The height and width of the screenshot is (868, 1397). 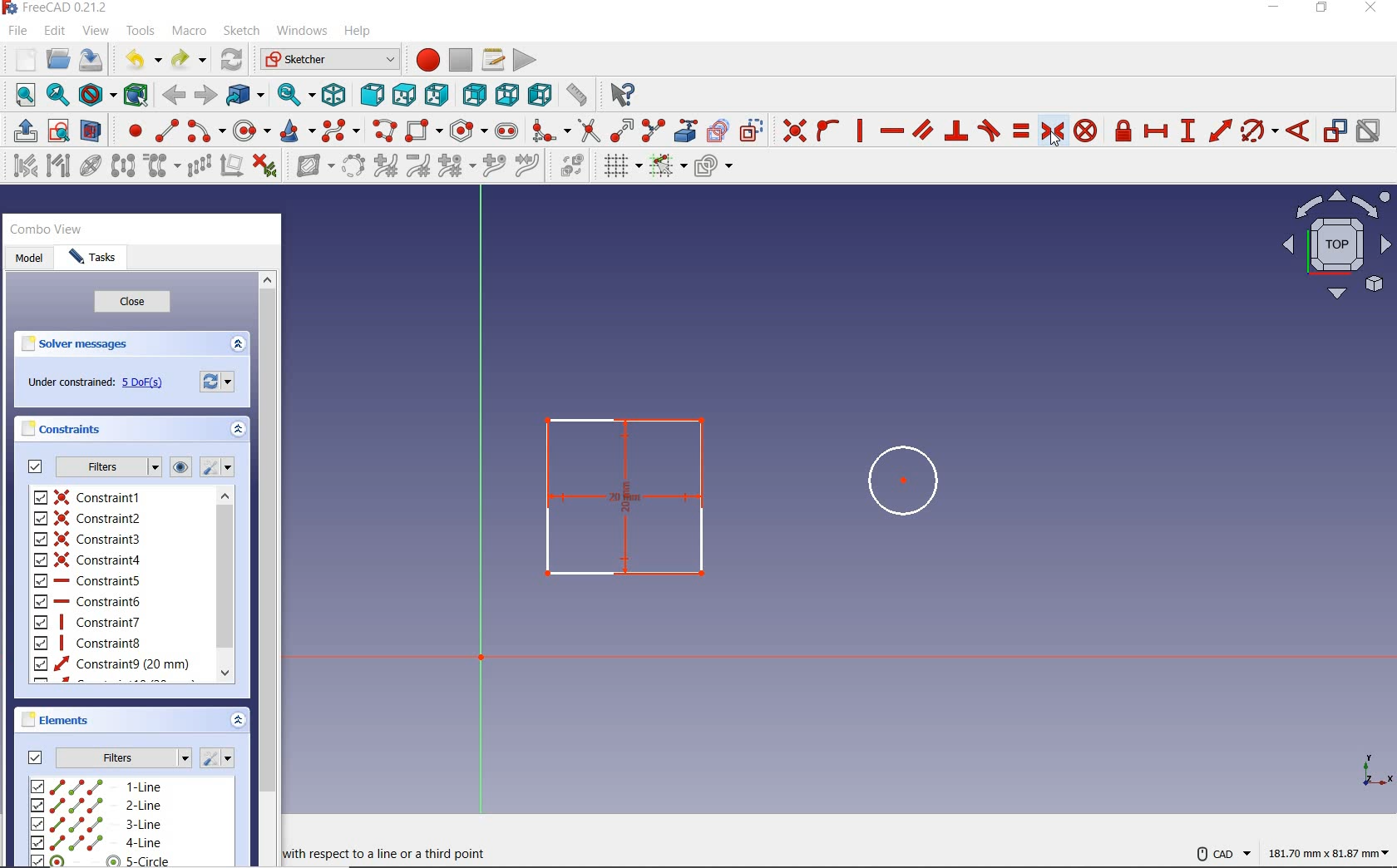 What do you see at coordinates (311, 167) in the screenshot?
I see `show/hide b-spline information layer` at bounding box center [311, 167].